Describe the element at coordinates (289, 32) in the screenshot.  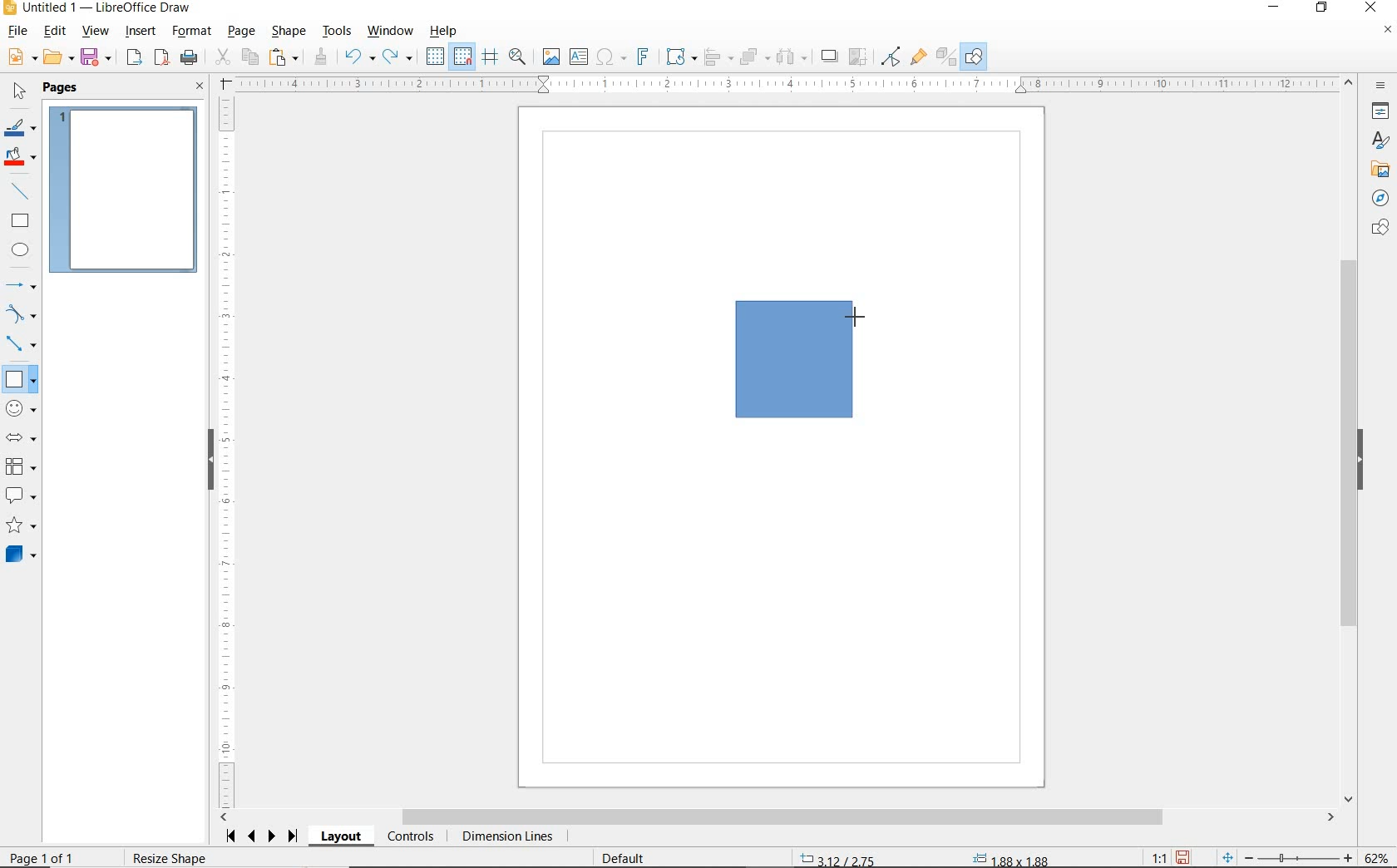
I see `SHAPE` at that location.